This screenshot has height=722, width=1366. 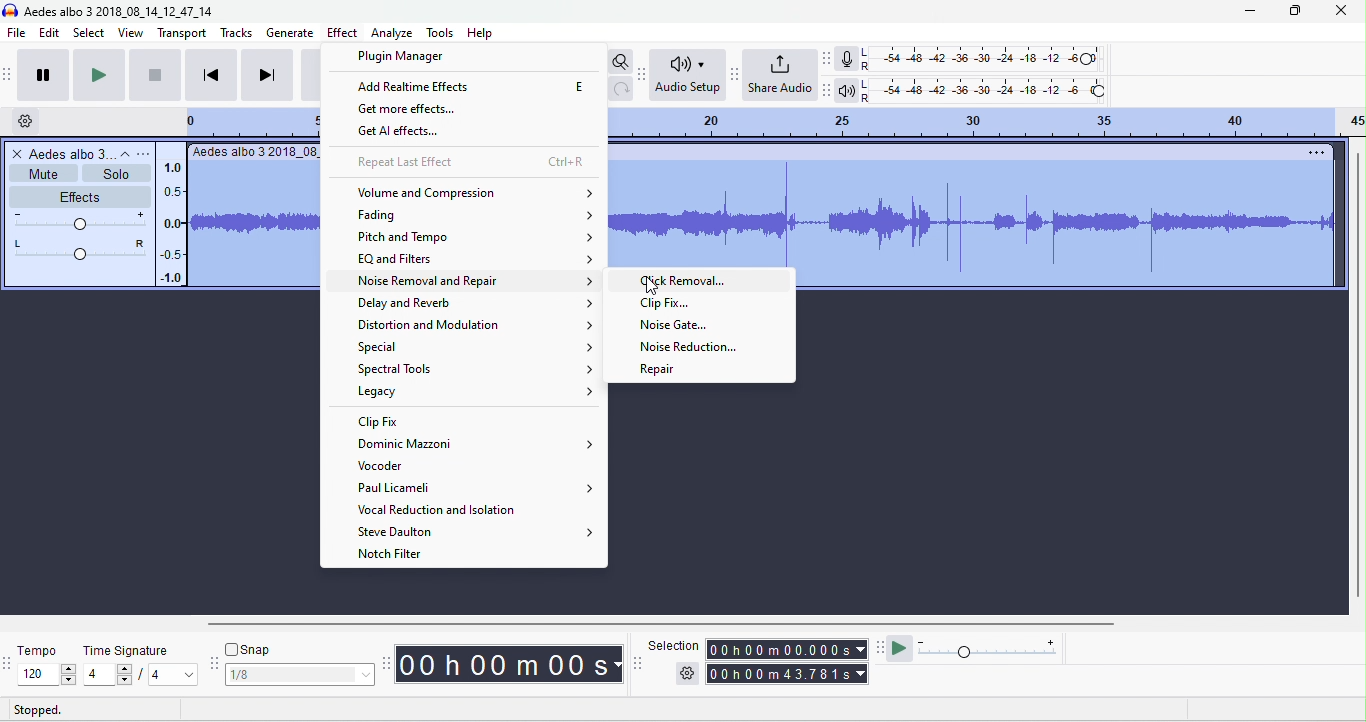 I want to click on add realtime effects, so click(x=471, y=87).